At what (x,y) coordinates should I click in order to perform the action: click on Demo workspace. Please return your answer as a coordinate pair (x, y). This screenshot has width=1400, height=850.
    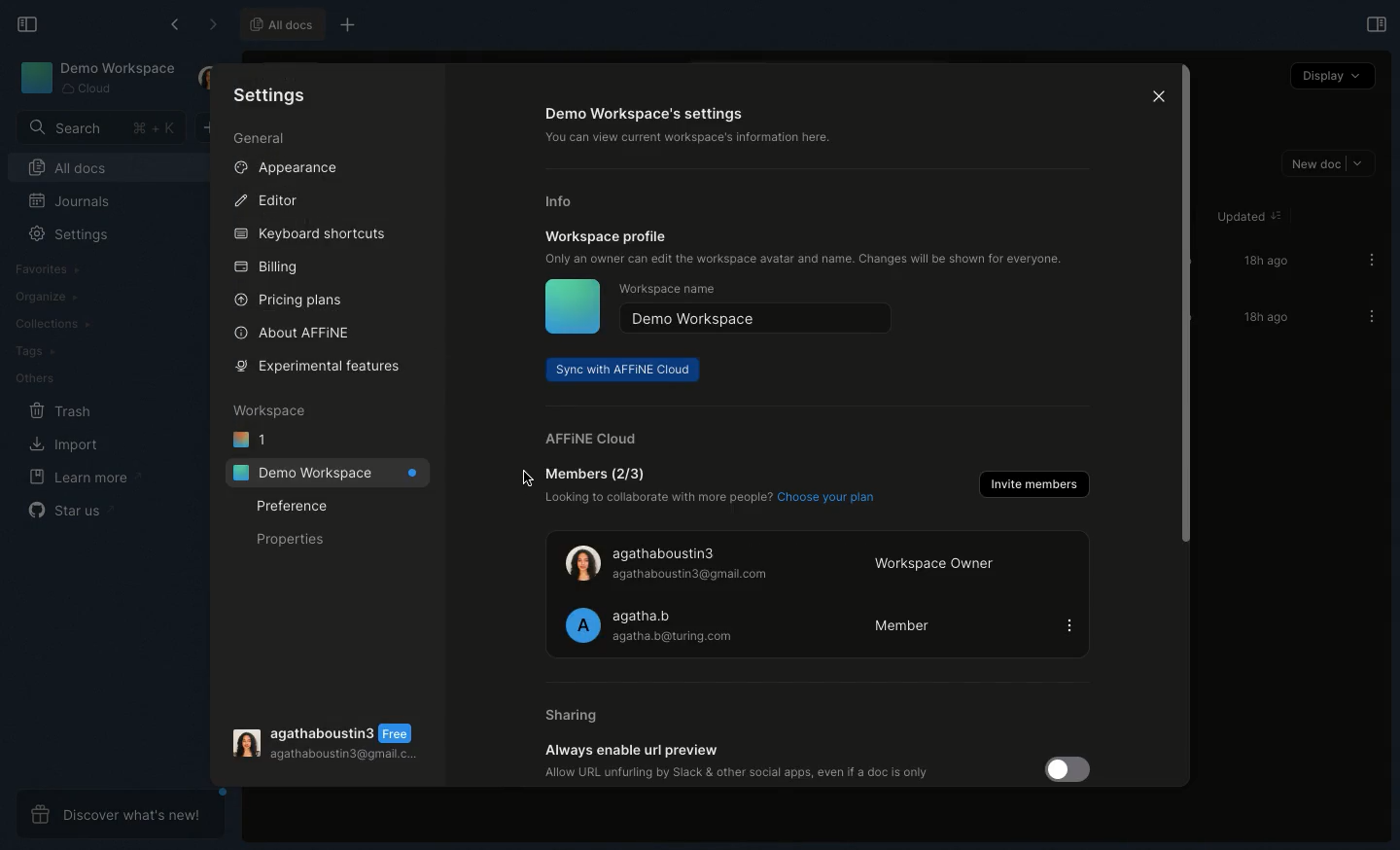
    Looking at the image, I should click on (756, 318).